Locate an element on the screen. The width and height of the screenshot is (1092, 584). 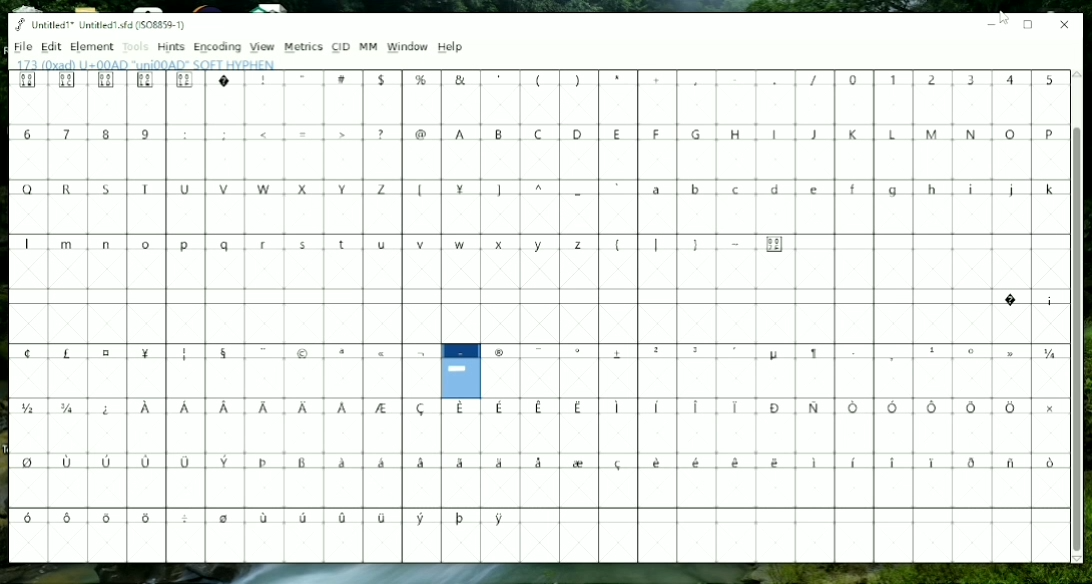
Vertical scrollbar is located at coordinates (1078, 337).